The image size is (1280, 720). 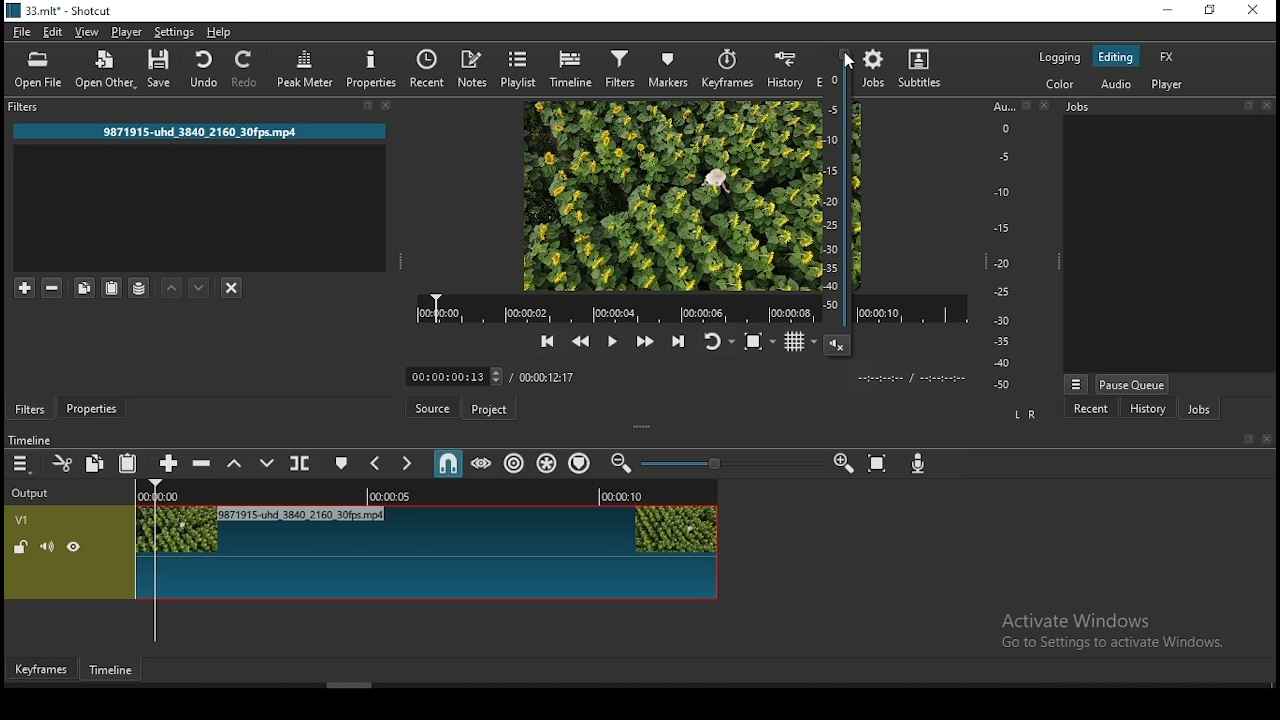 I want to click on append, so click(x=170, y=464).